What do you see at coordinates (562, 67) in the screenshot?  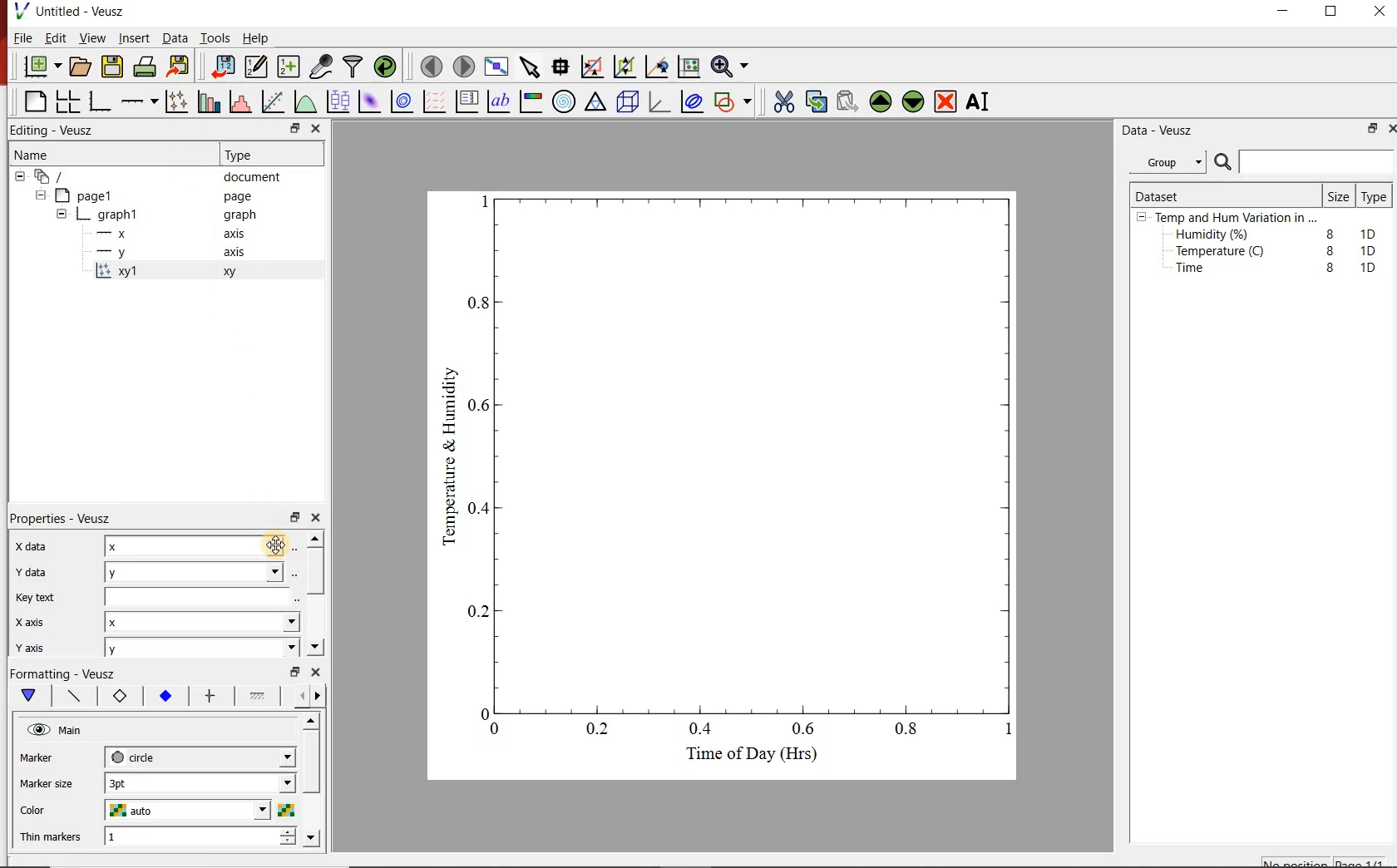 I see `Read data points on the graph` at bounding box center [562, 67].